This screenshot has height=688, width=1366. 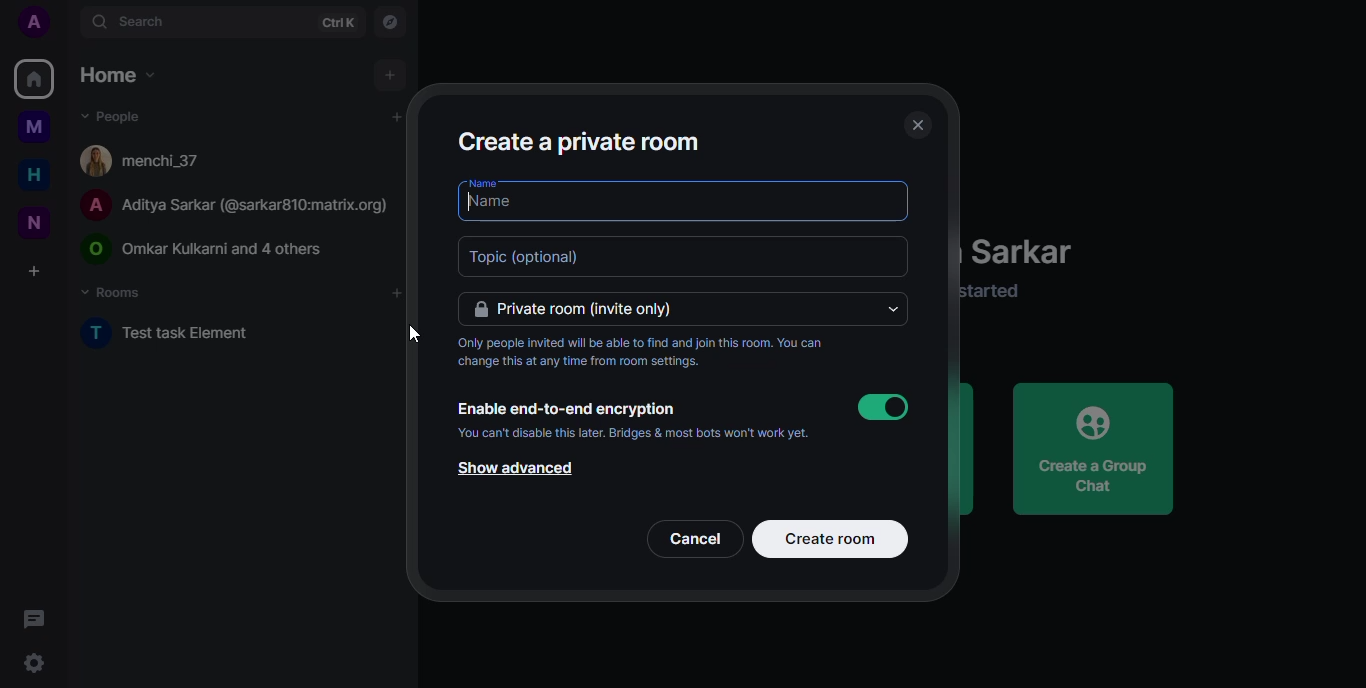 I want to click on cancel, so click(x=697, y=537).